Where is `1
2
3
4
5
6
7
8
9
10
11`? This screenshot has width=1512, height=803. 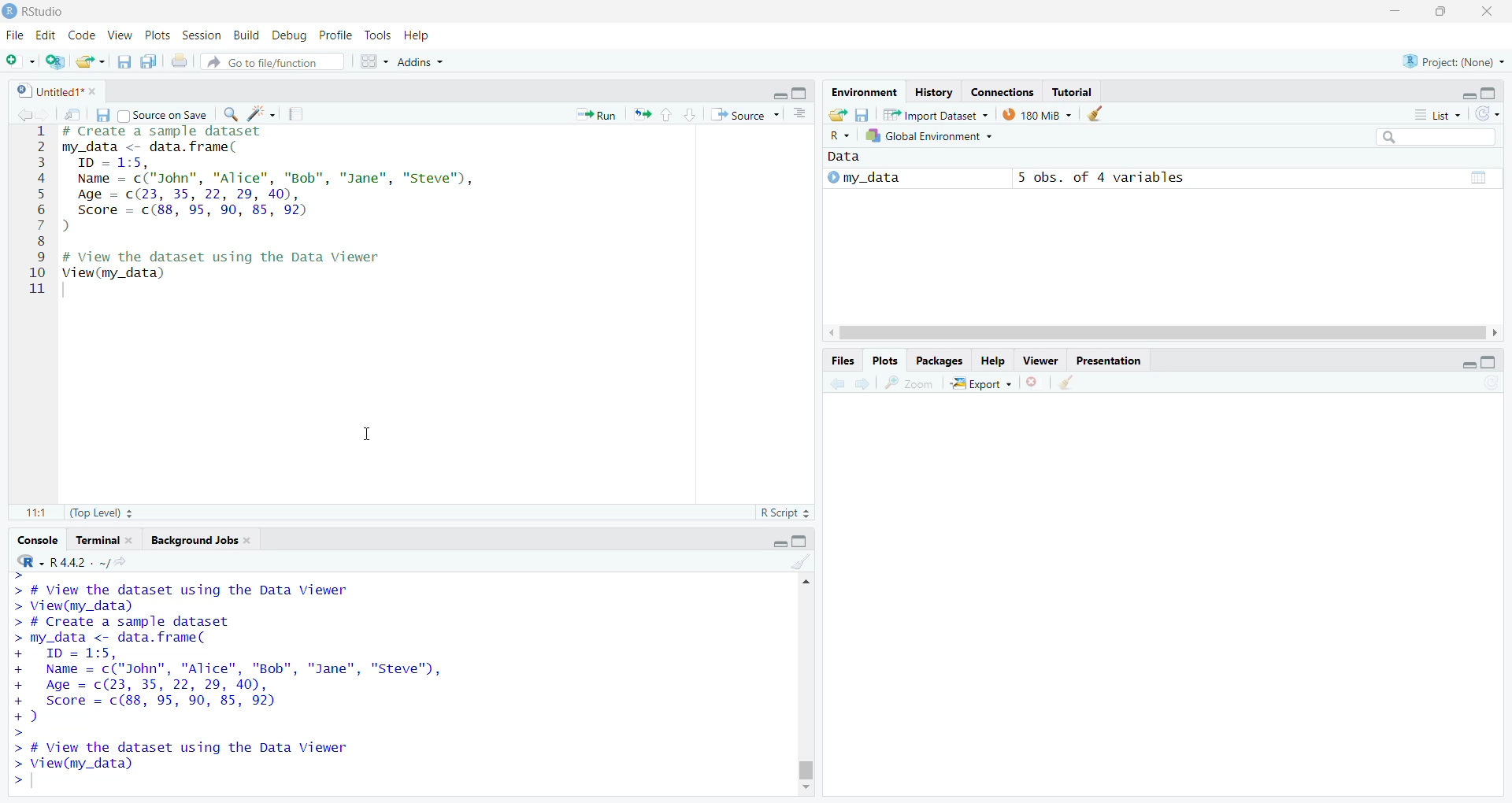 1
2
3
4
5
6
7
8
9
10
11 is located at coordinates (43, 213).